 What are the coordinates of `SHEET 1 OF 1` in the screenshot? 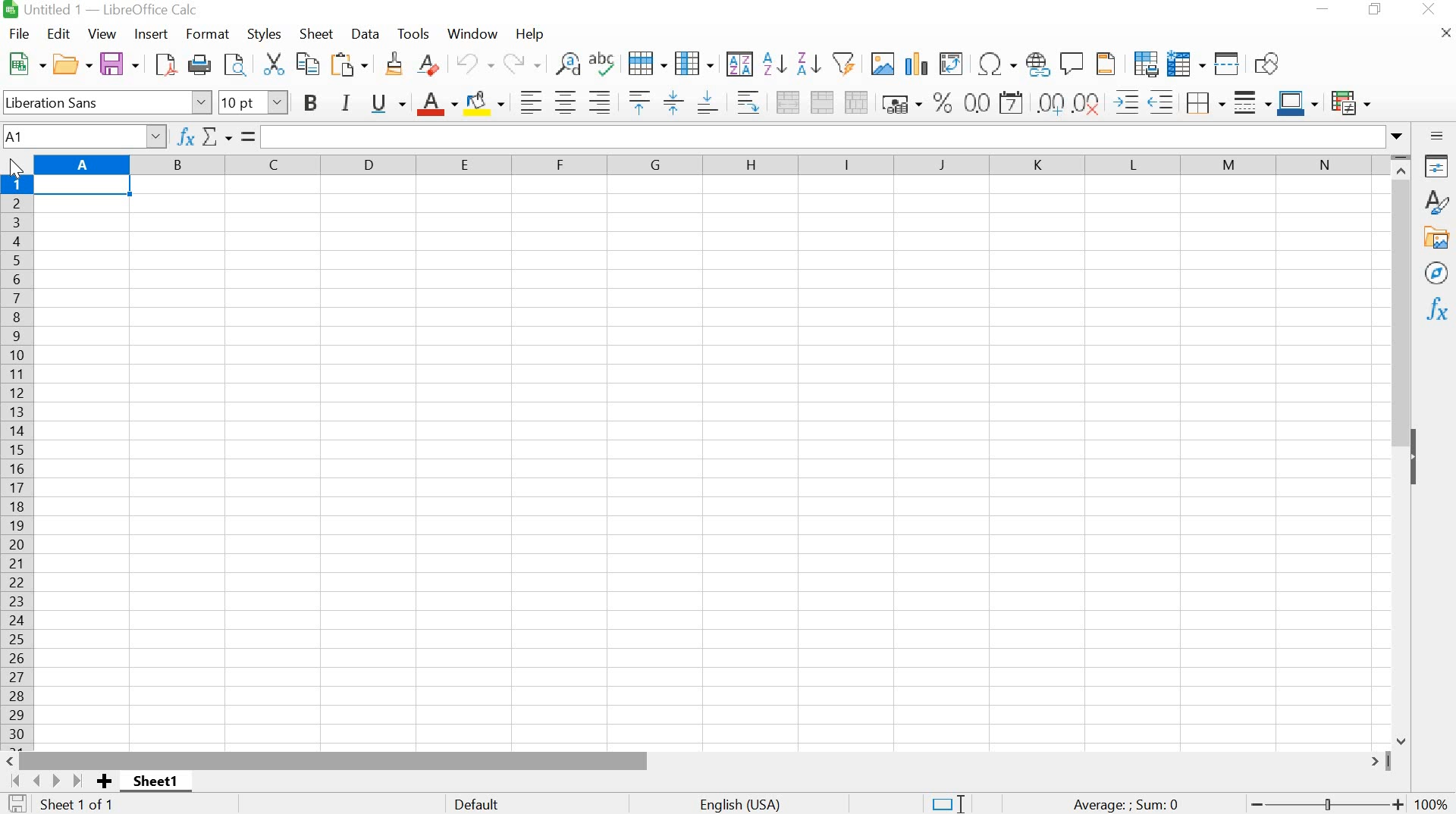 It's located at (80, 803).